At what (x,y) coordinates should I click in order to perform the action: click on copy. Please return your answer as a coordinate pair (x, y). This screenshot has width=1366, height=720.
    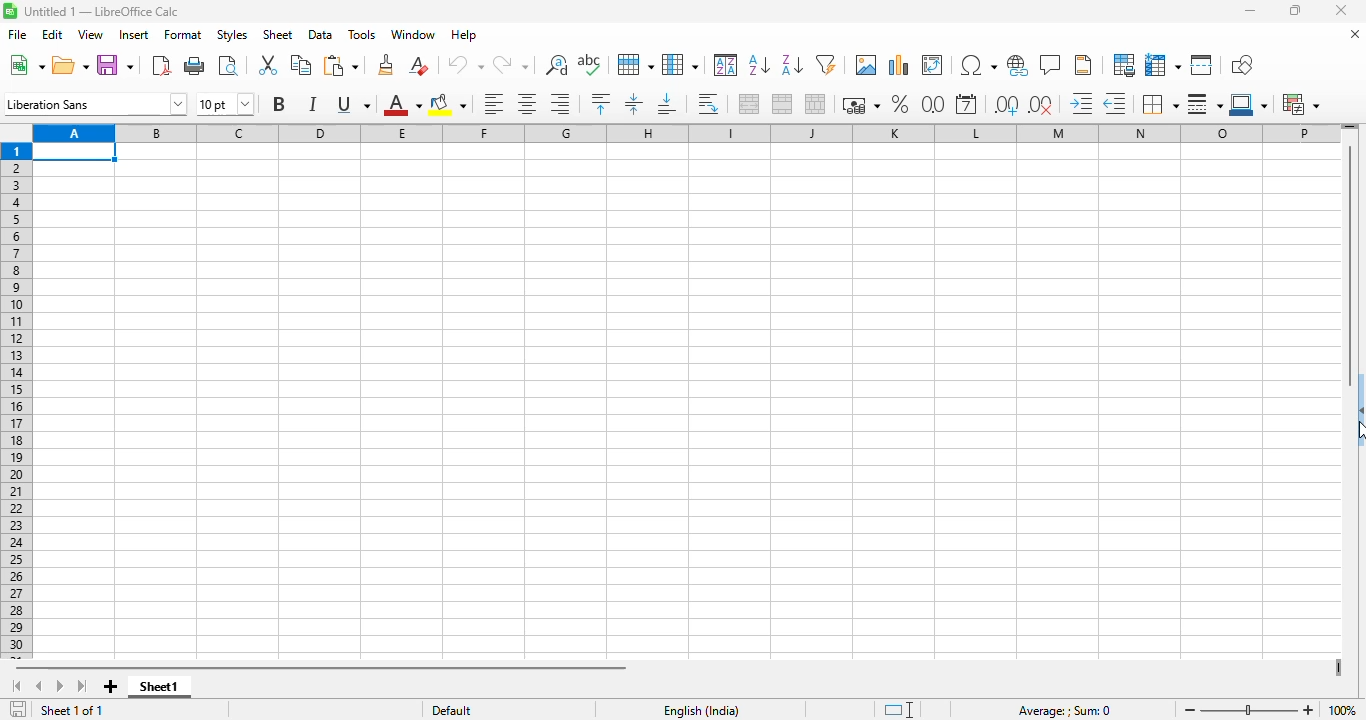
    Looking at the image, I should click on (302, 64).